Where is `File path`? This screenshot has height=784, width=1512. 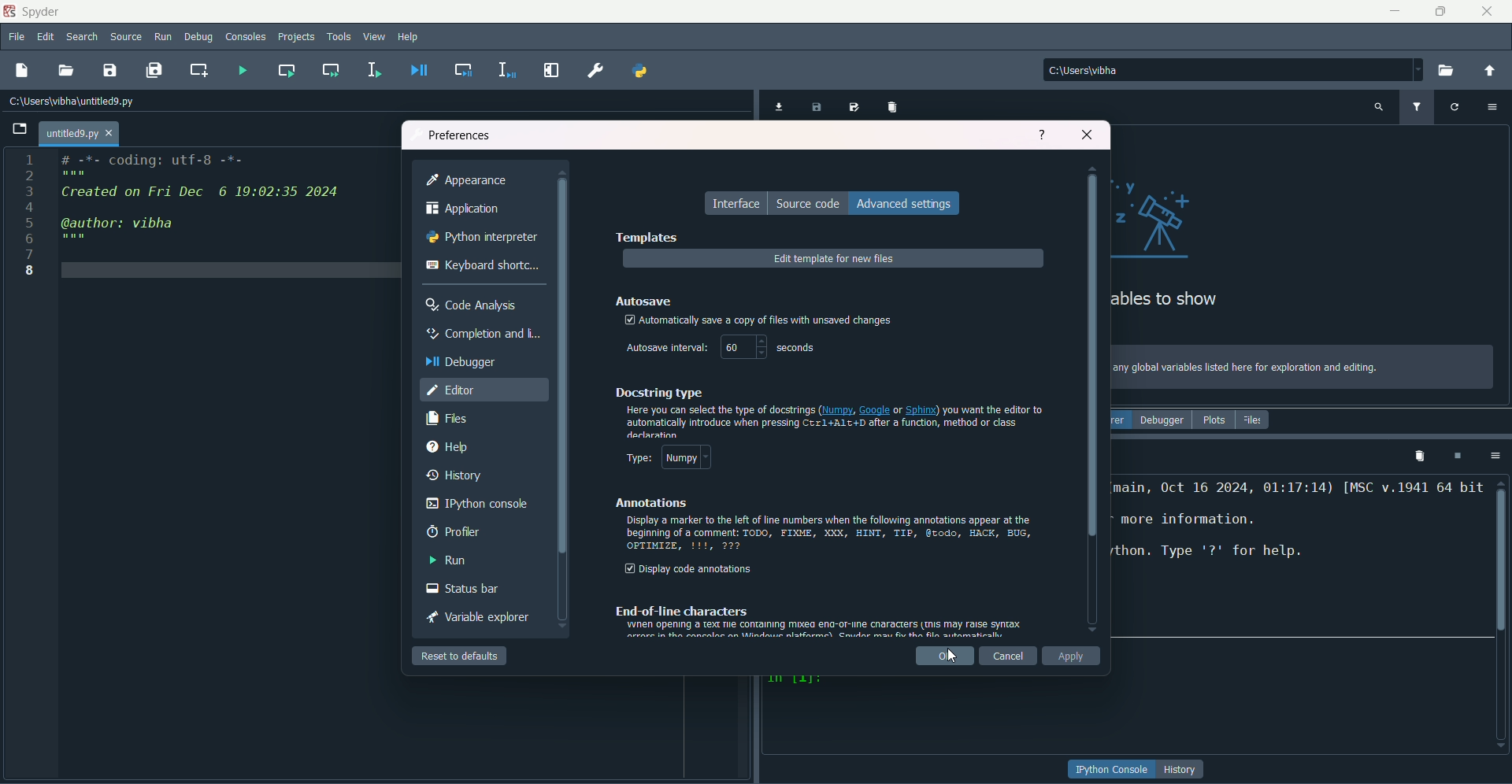 File path is located at coordinates (75, 101).